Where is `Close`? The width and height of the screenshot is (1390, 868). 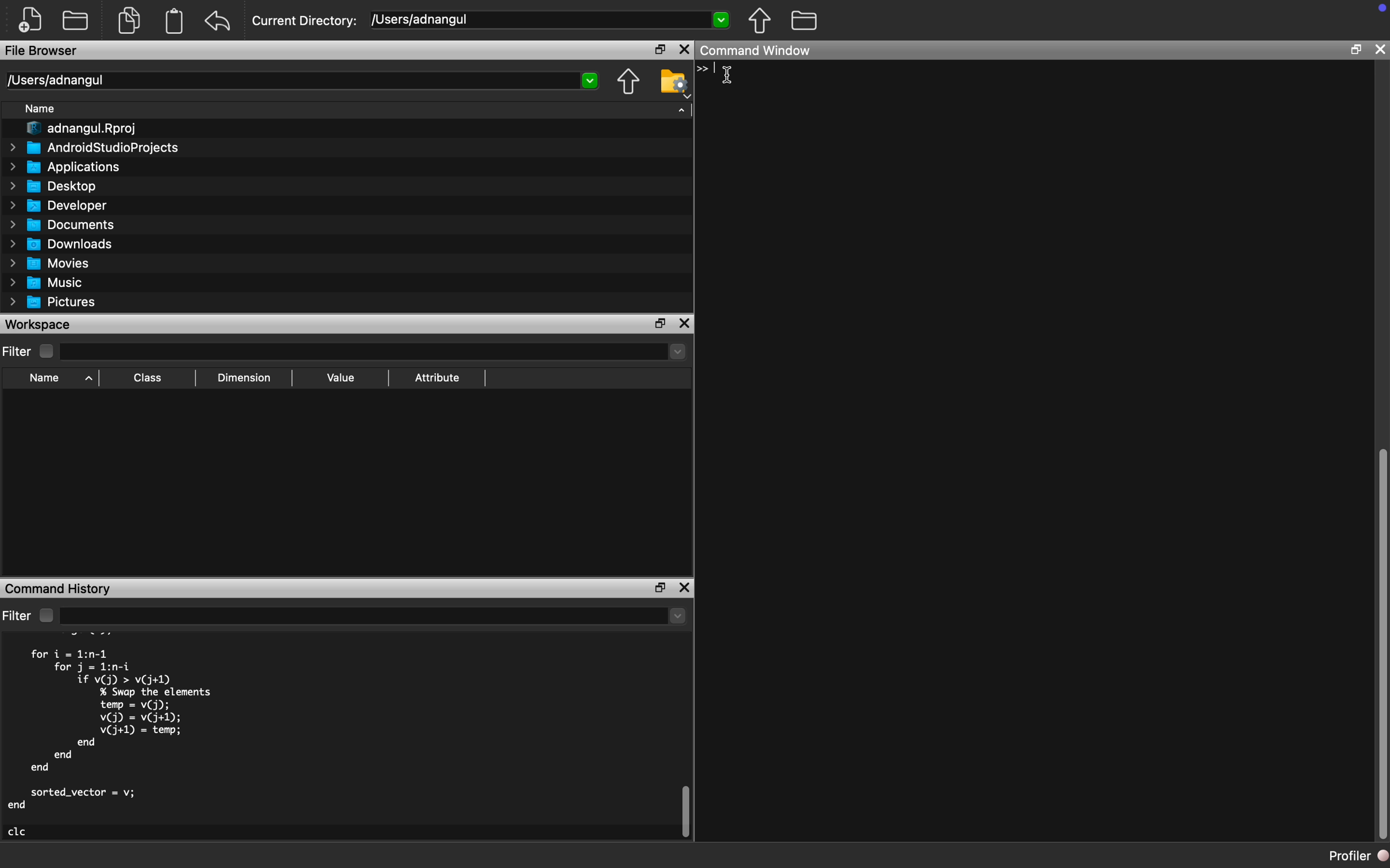 Close is located at coordinates (684, 587).